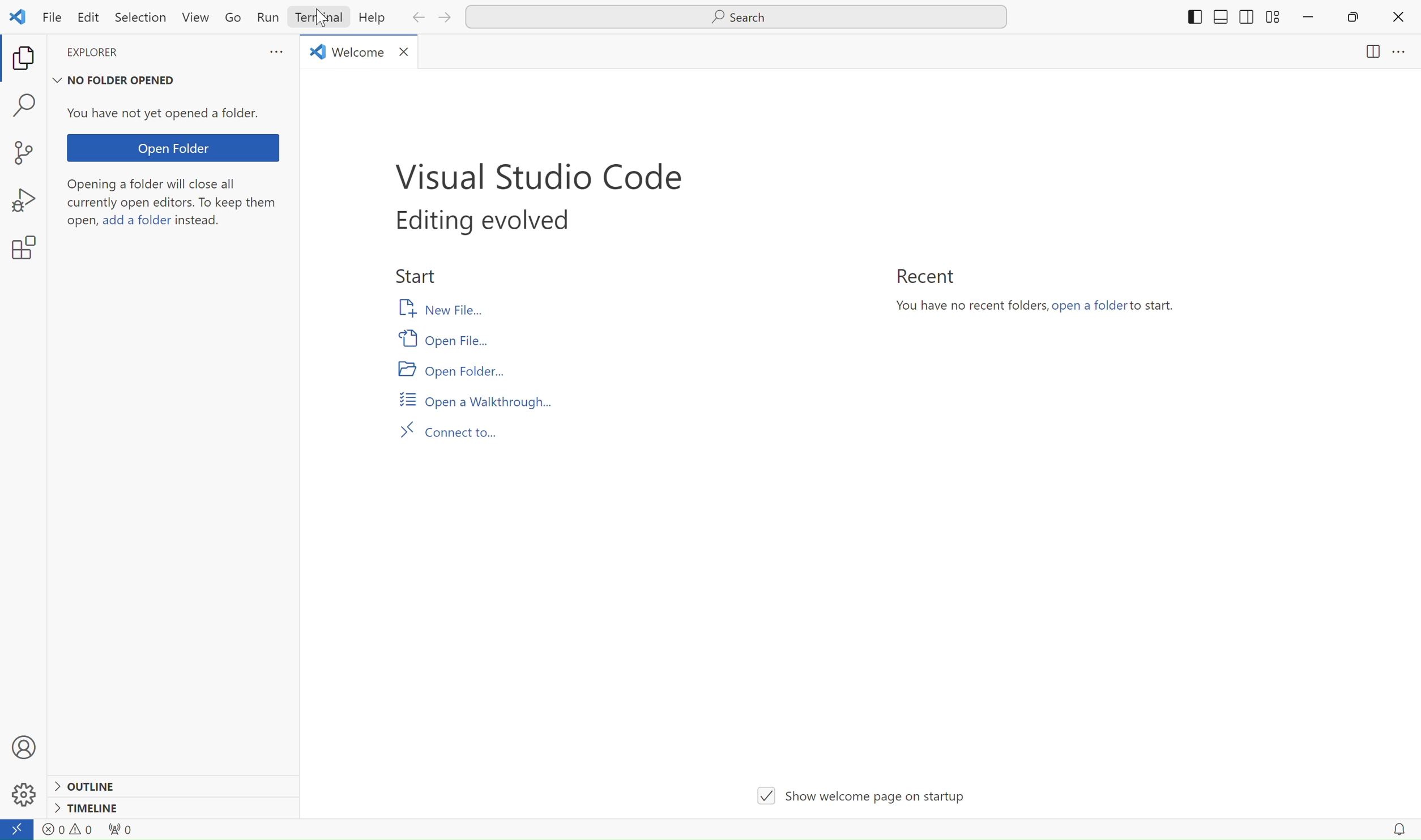  Describe the element at coordinates (237, 19) in the screenshot. I see `Go` at that location.